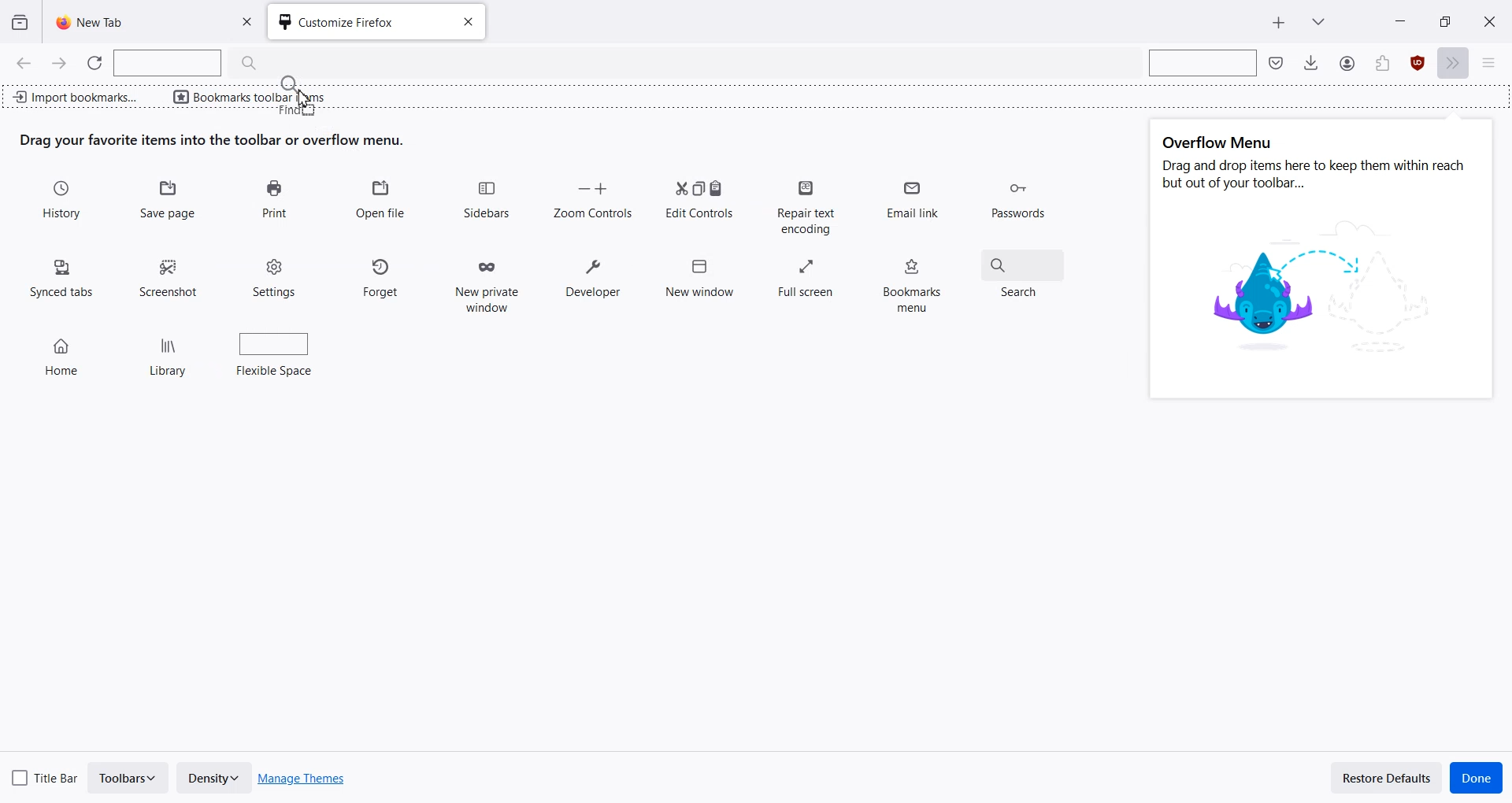 The height and width of the screenshot is (803, 1512). What do you see at coordinates (213, 778) in the screenshot?
I see `Density` at bounding box center [213, 778].